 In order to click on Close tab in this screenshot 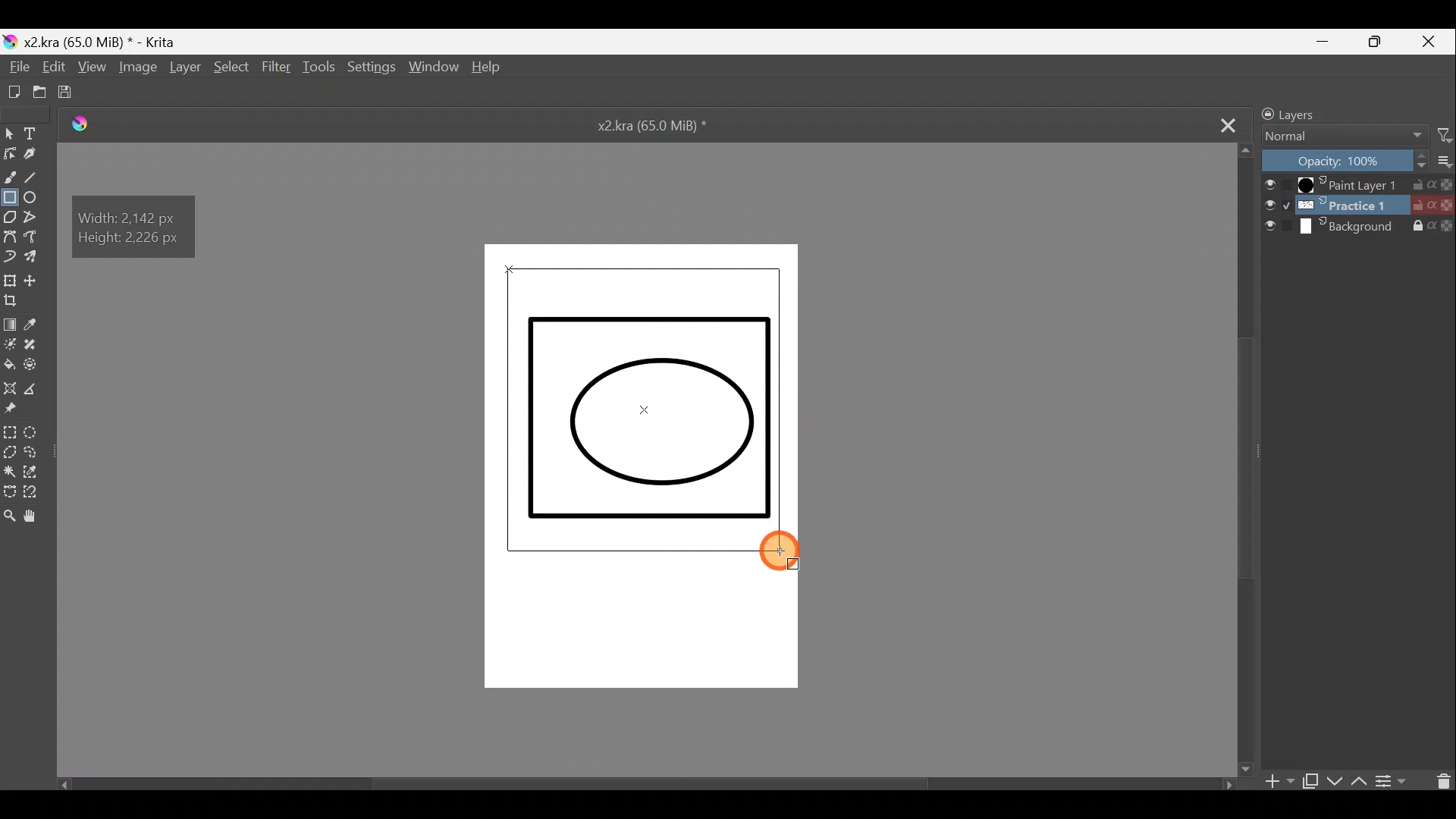, I will do `click(1222, 127)`.